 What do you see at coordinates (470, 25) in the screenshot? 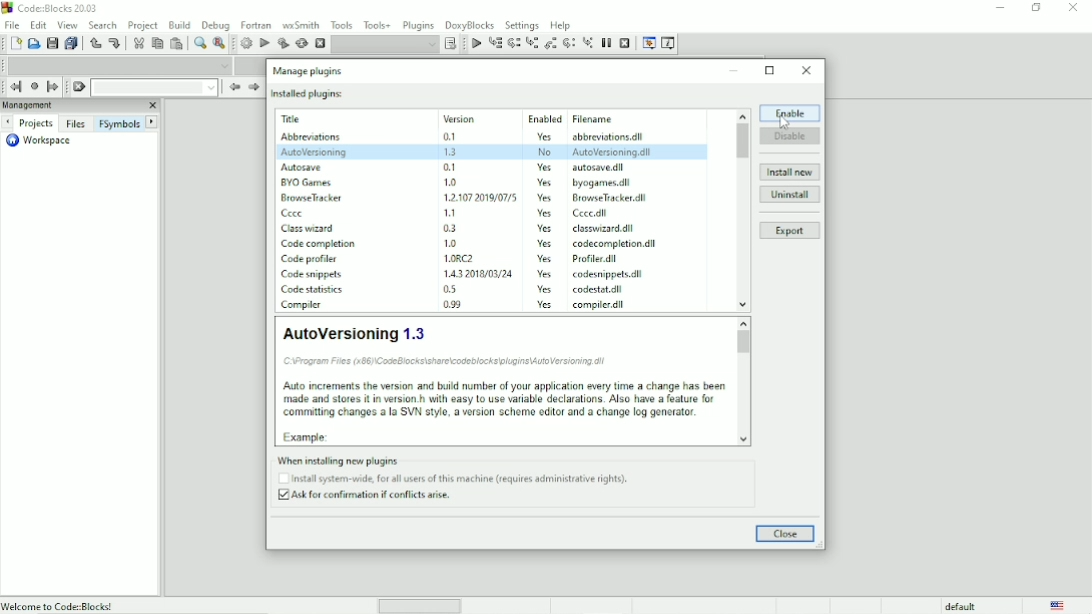
I see `DoxyBlocks` at bounding box center [470, 25].